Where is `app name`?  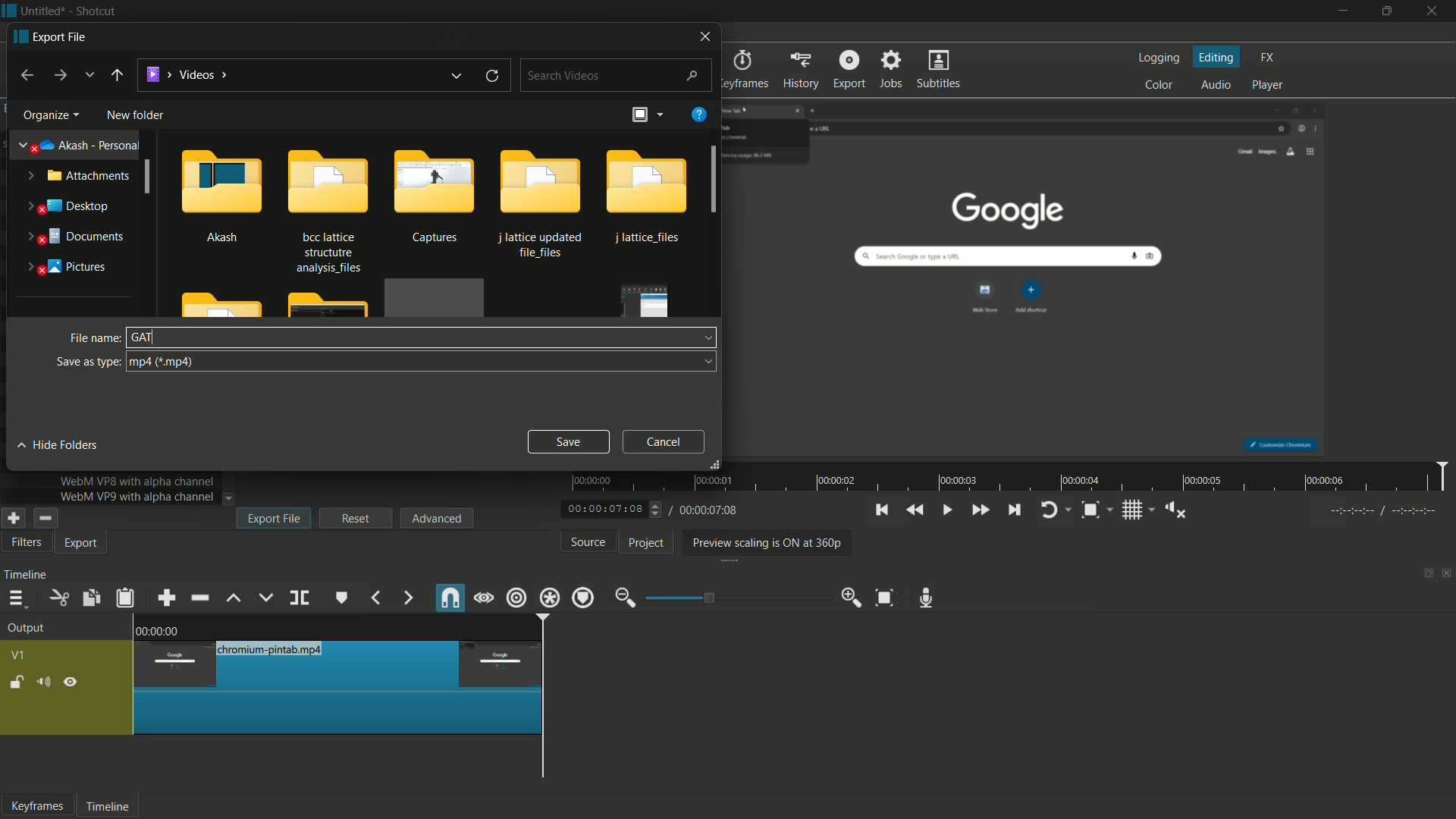 app name is located at coordinates (95, 11).